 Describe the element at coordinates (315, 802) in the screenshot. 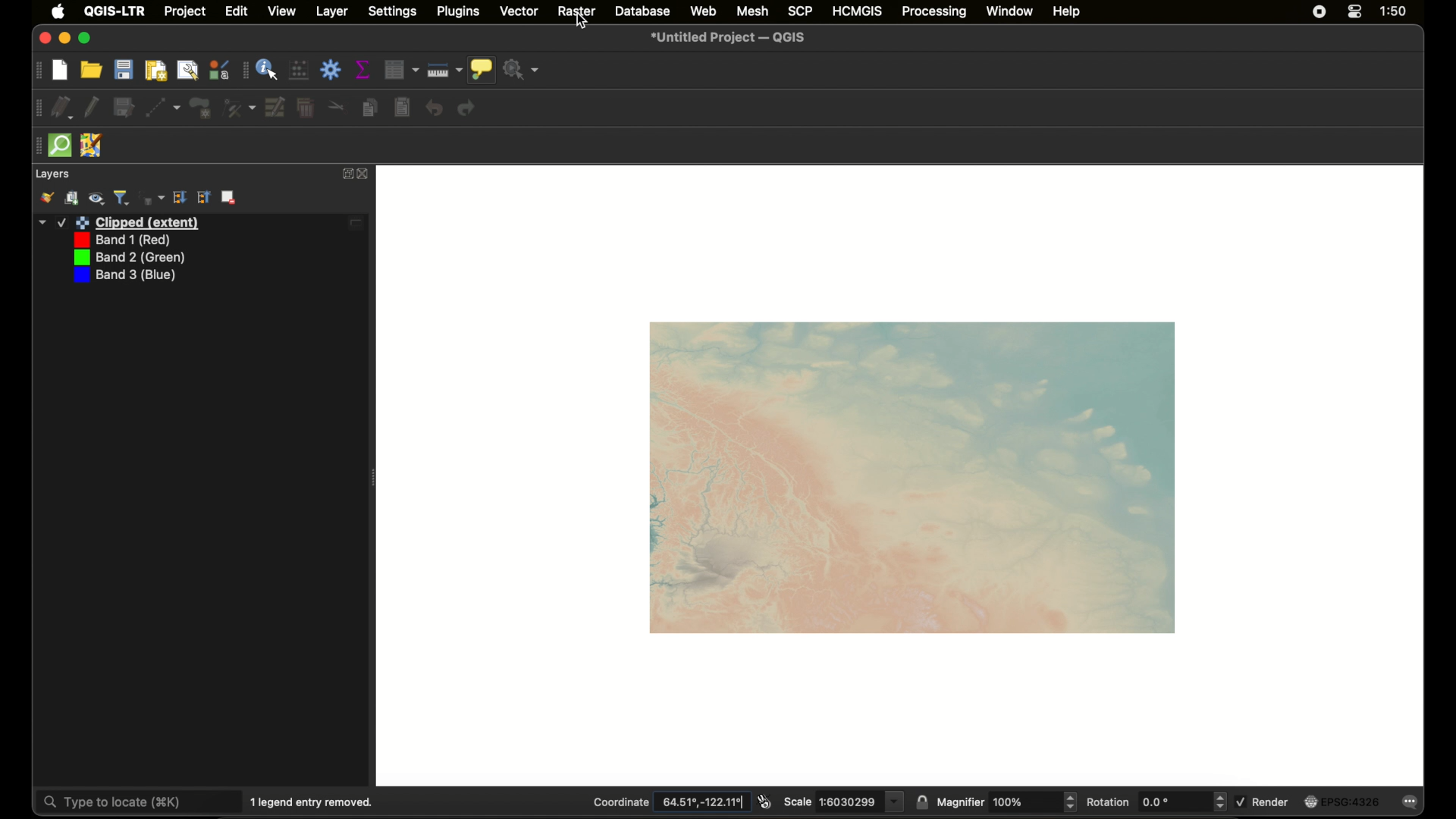

I see `1 legend entry removed` at that location.